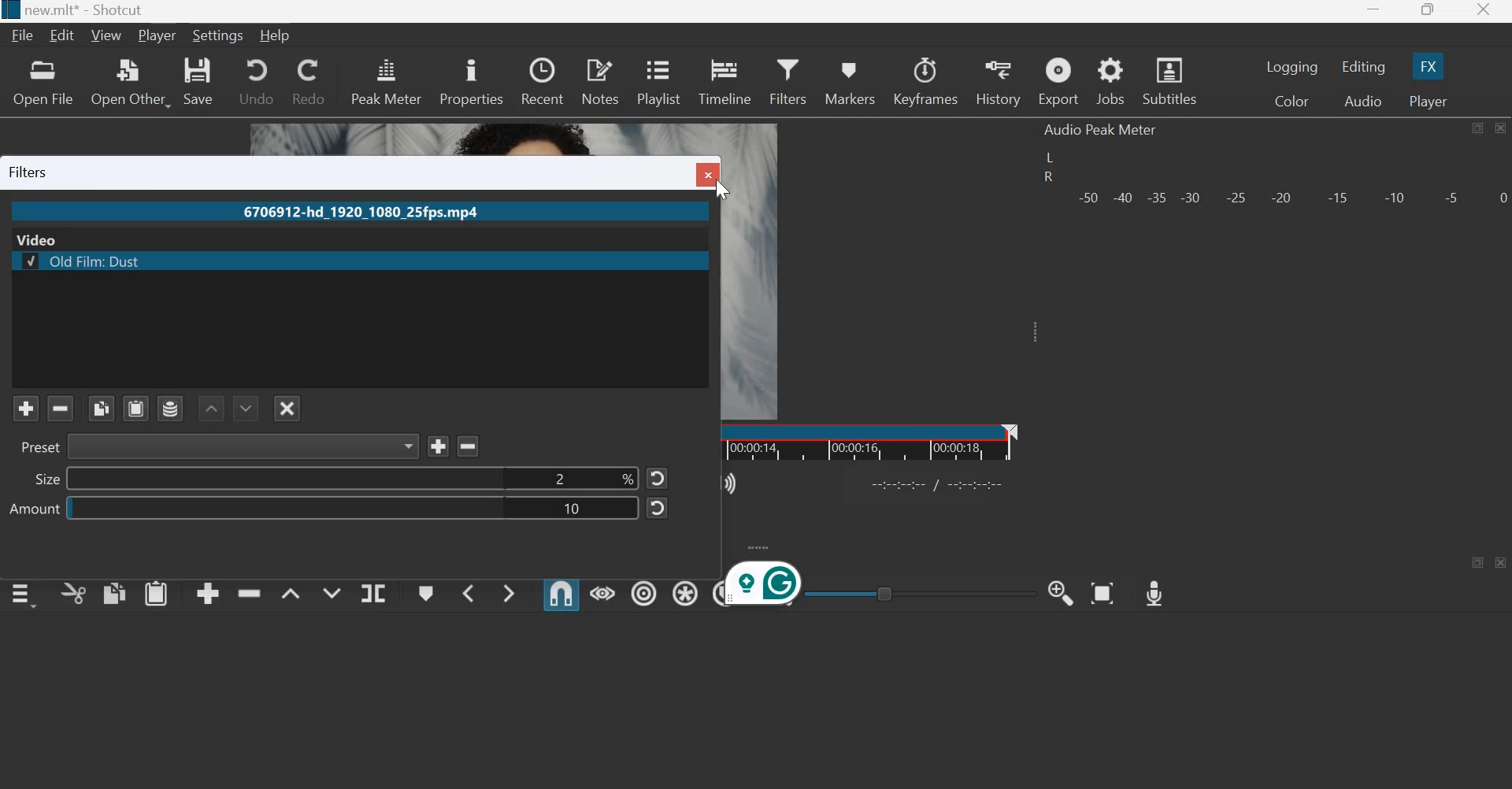  Describe the element at coordinates (657, 480) in the screenshot. I see `` at that location.